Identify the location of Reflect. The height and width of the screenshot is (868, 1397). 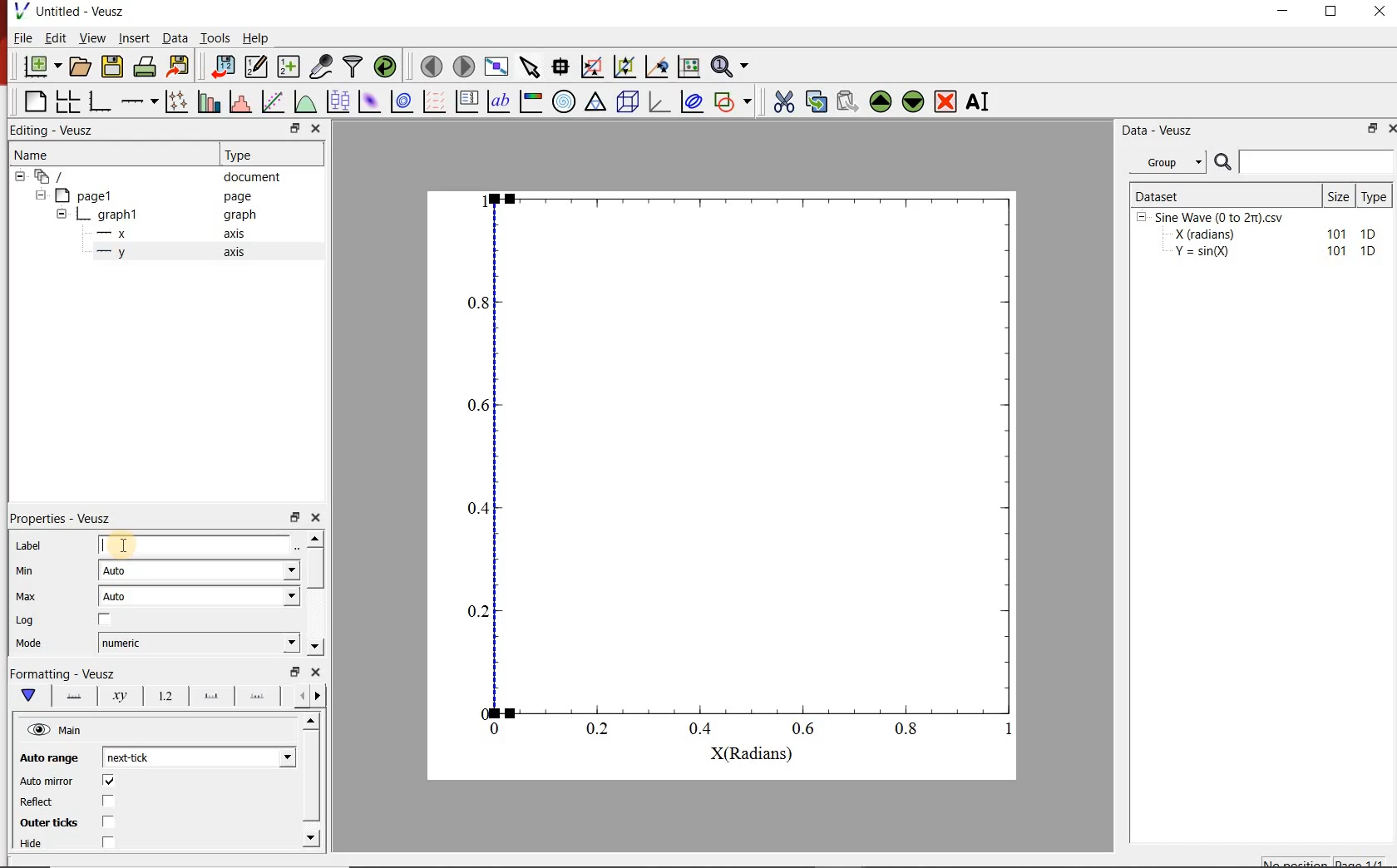
(38, 802).